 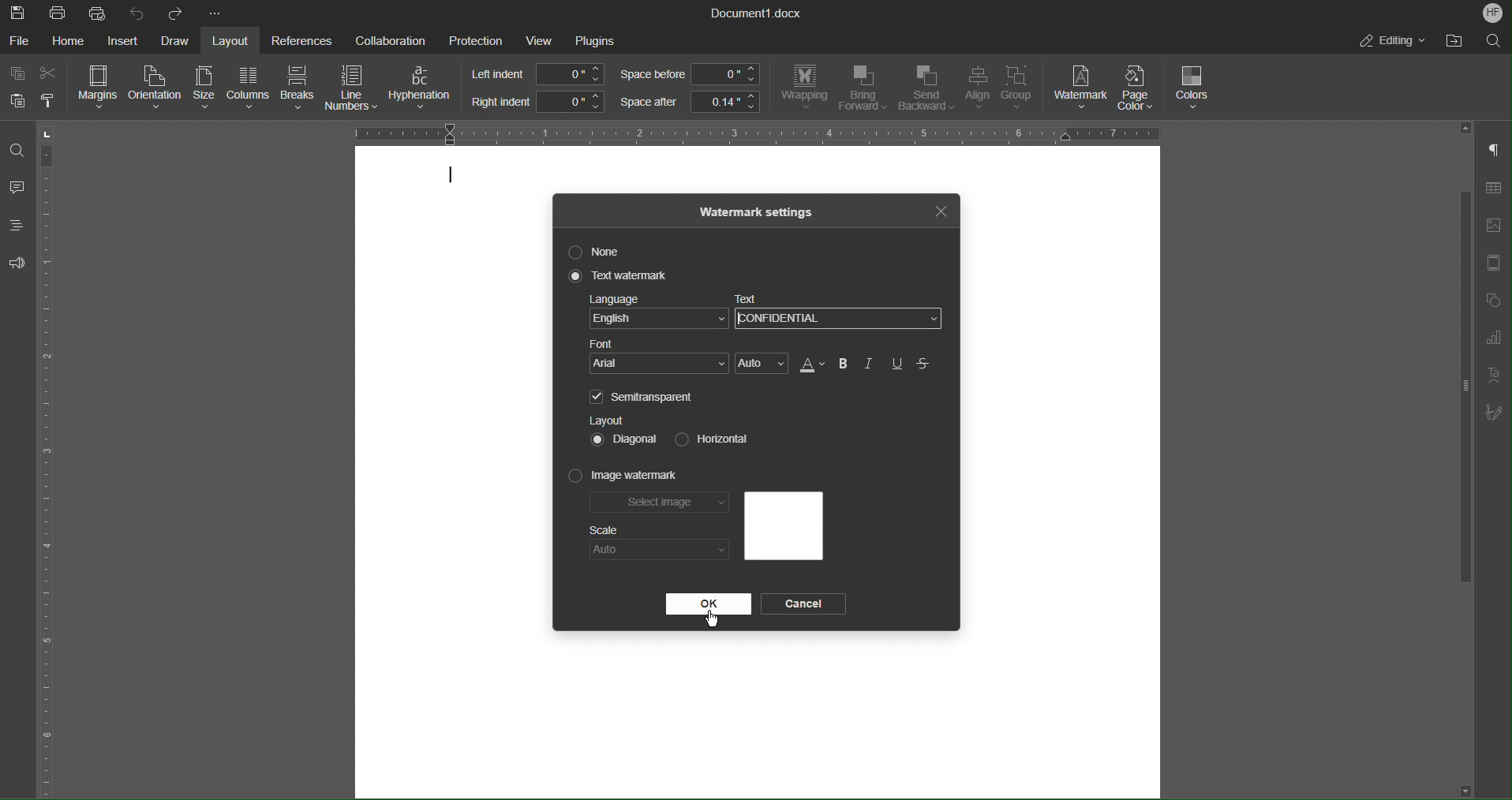 I want to click on Cancel, so click(x=807, y=604).